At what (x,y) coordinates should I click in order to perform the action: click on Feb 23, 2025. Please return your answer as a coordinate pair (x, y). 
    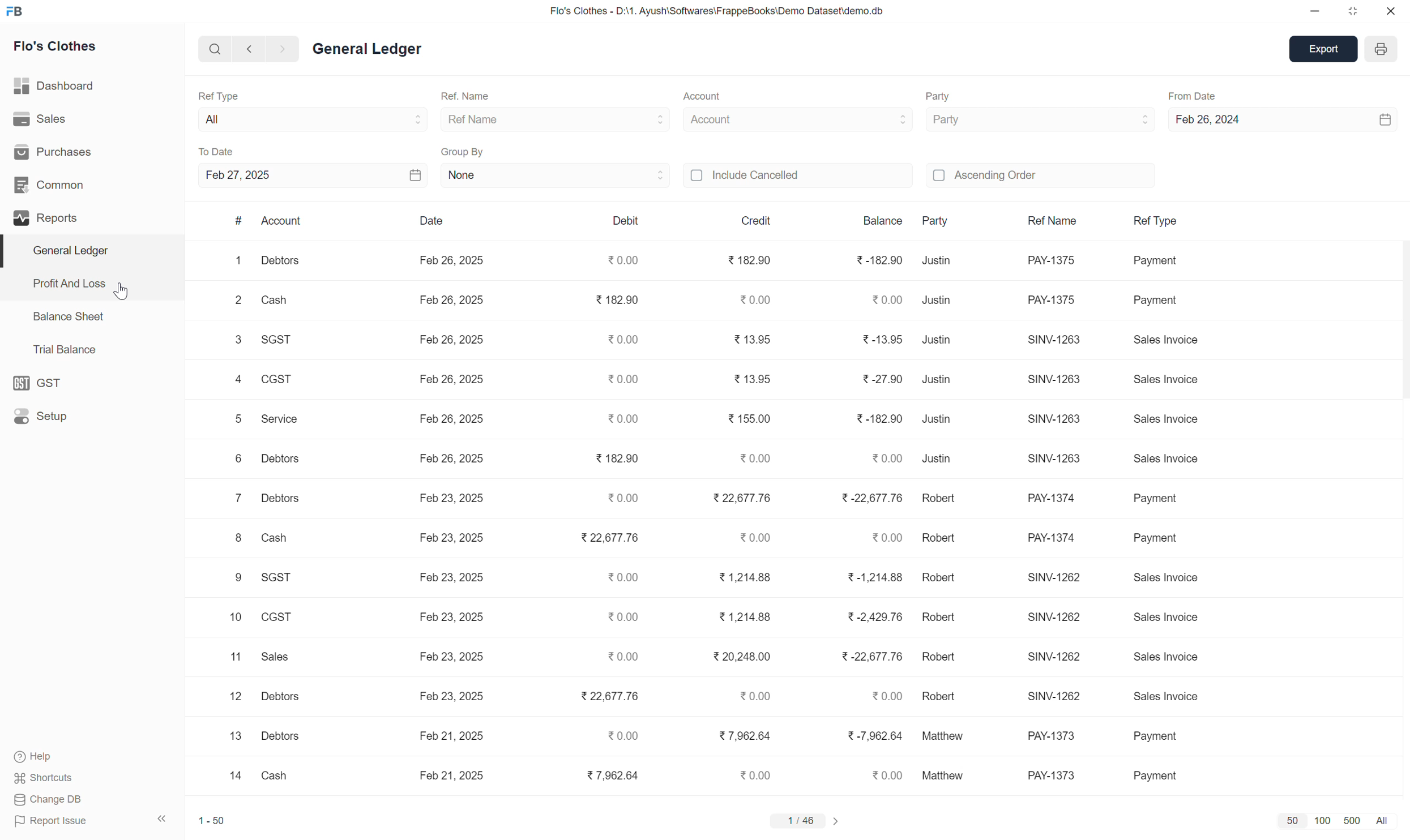
    Looking at the image, I should click on (455, 659).